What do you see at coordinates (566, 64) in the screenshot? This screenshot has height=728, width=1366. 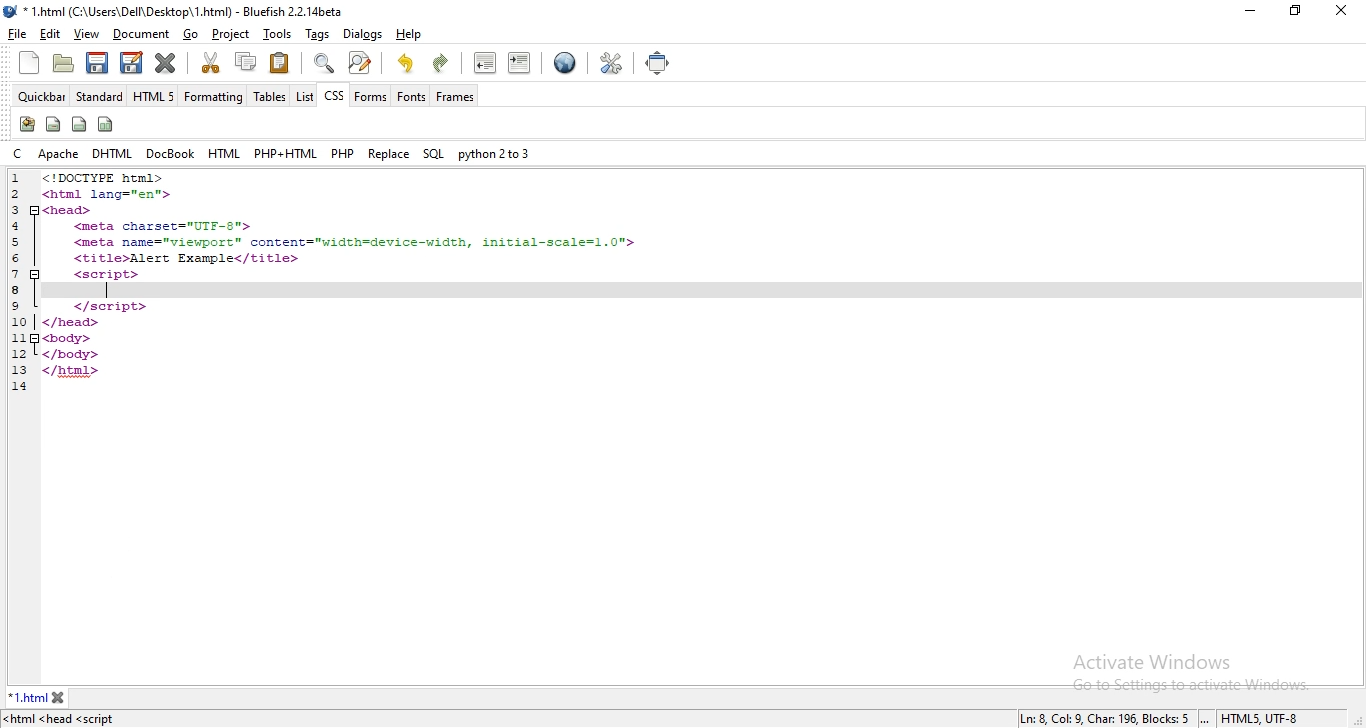 I see `view in browser` at bounding box center [566, 64].